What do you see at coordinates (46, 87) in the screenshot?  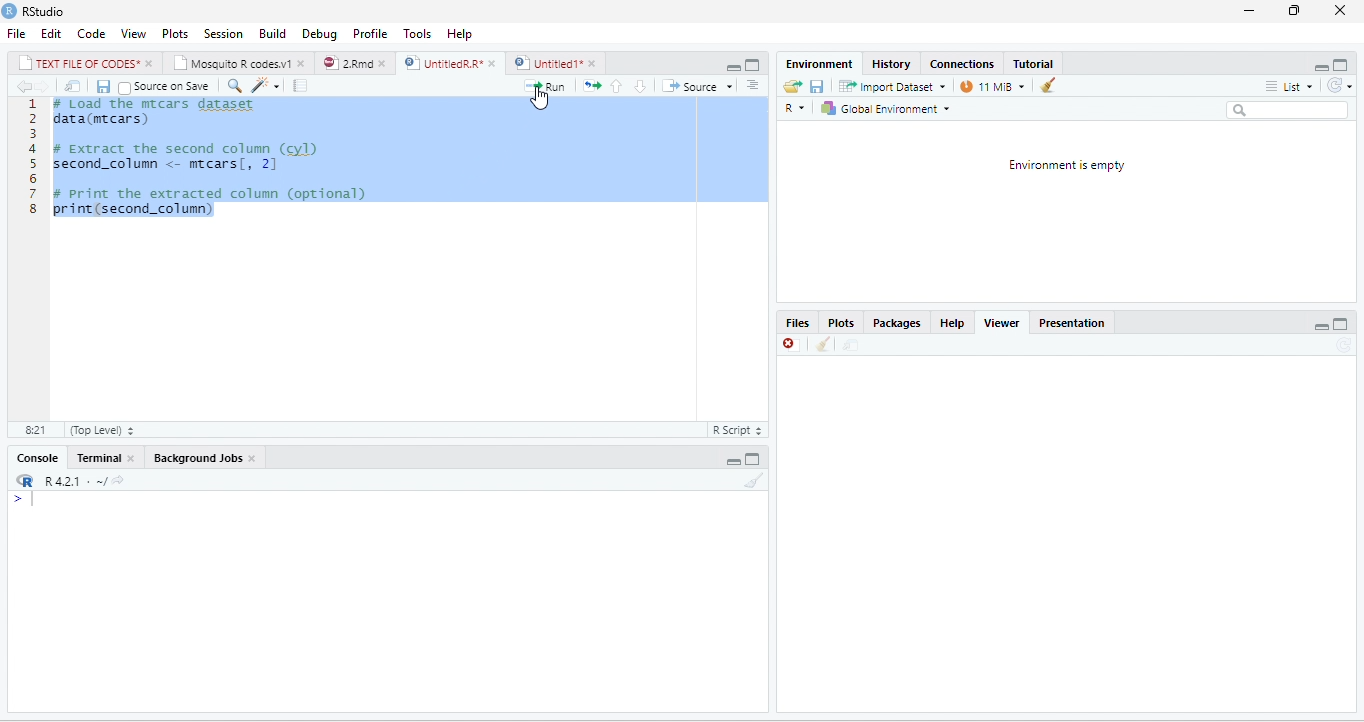 I see `next` at bounding box center [46, 87].